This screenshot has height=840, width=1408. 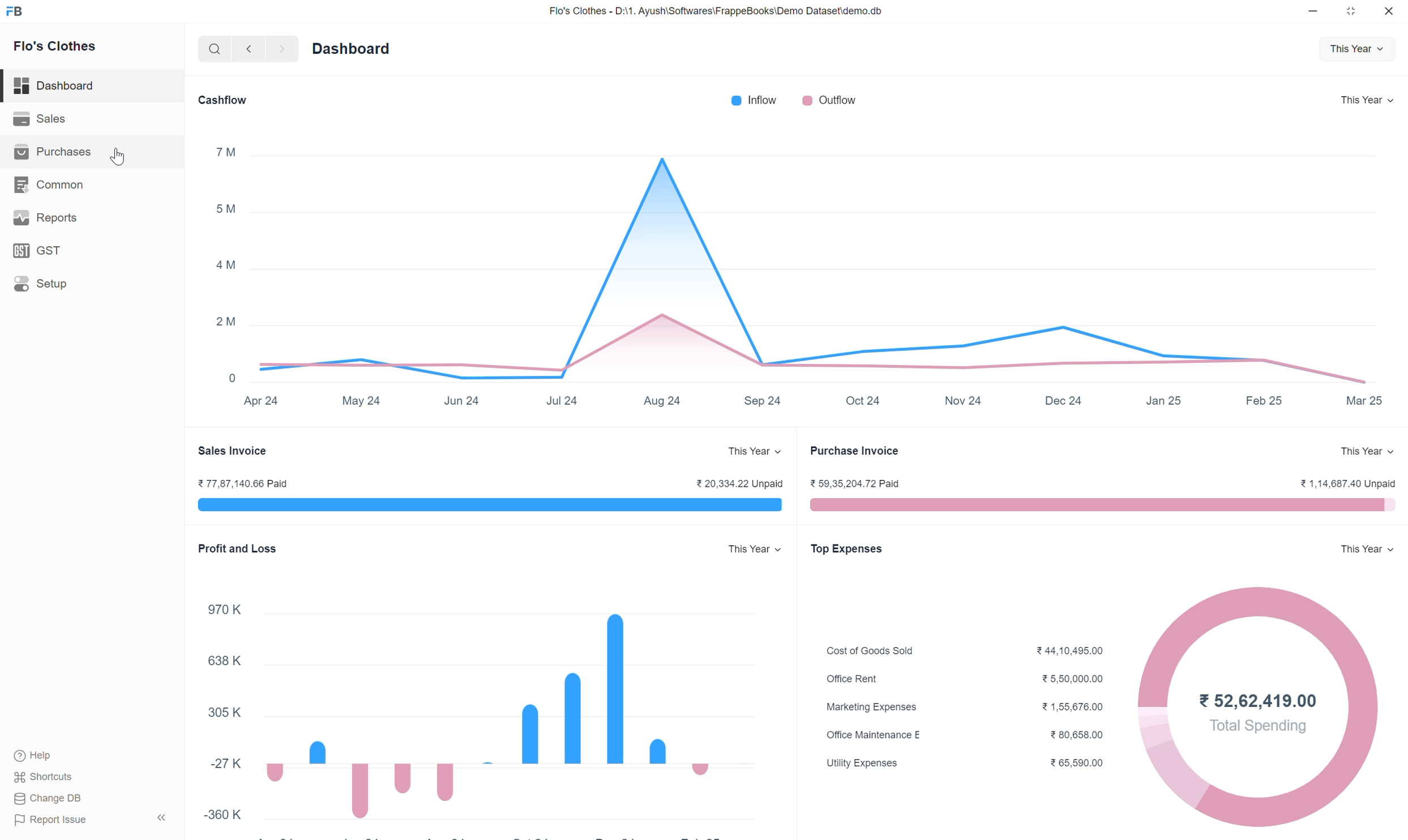 I want to click on Top Expenses, so click(x=846, y=549).